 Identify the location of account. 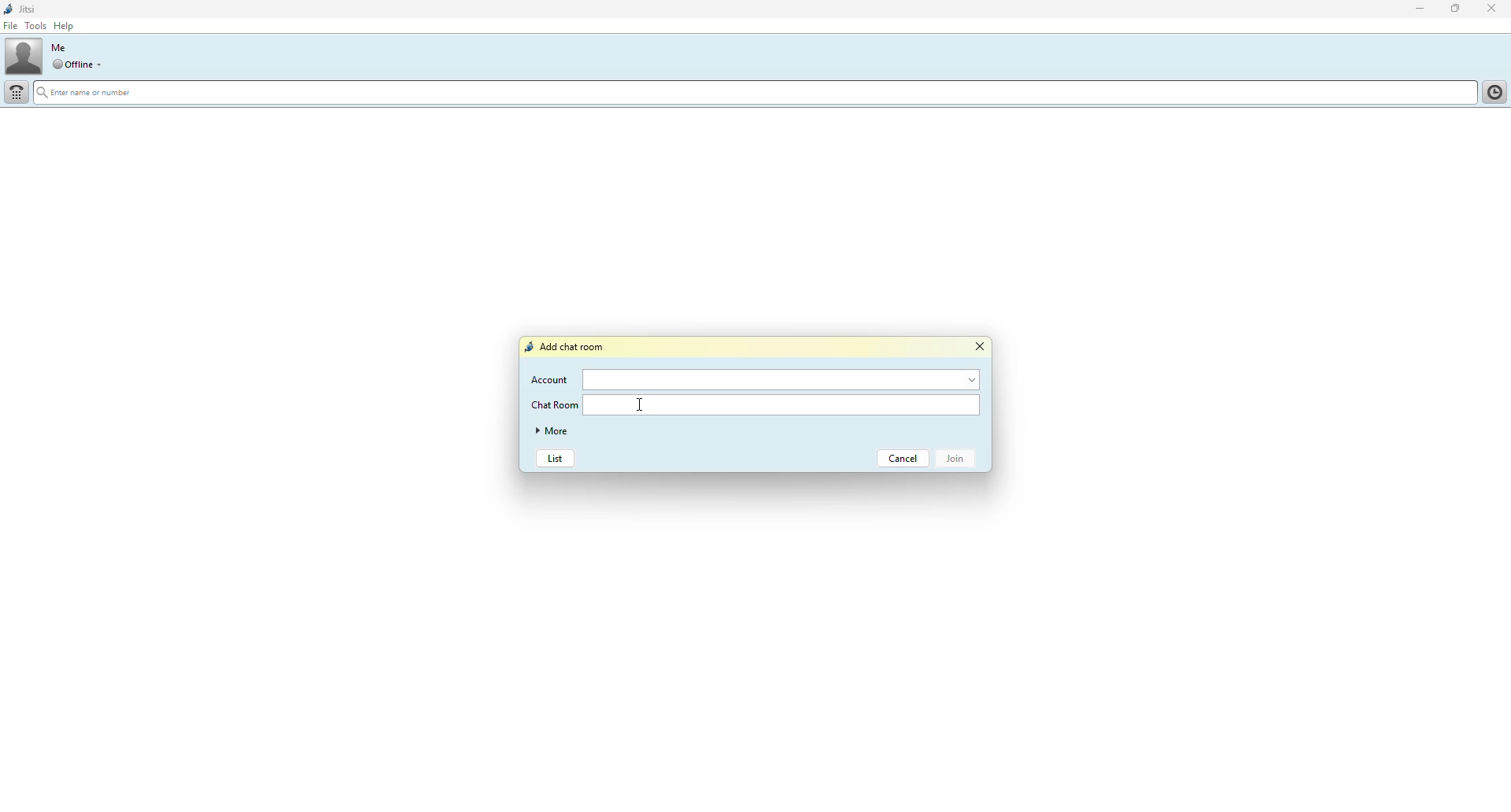
(785, 378).